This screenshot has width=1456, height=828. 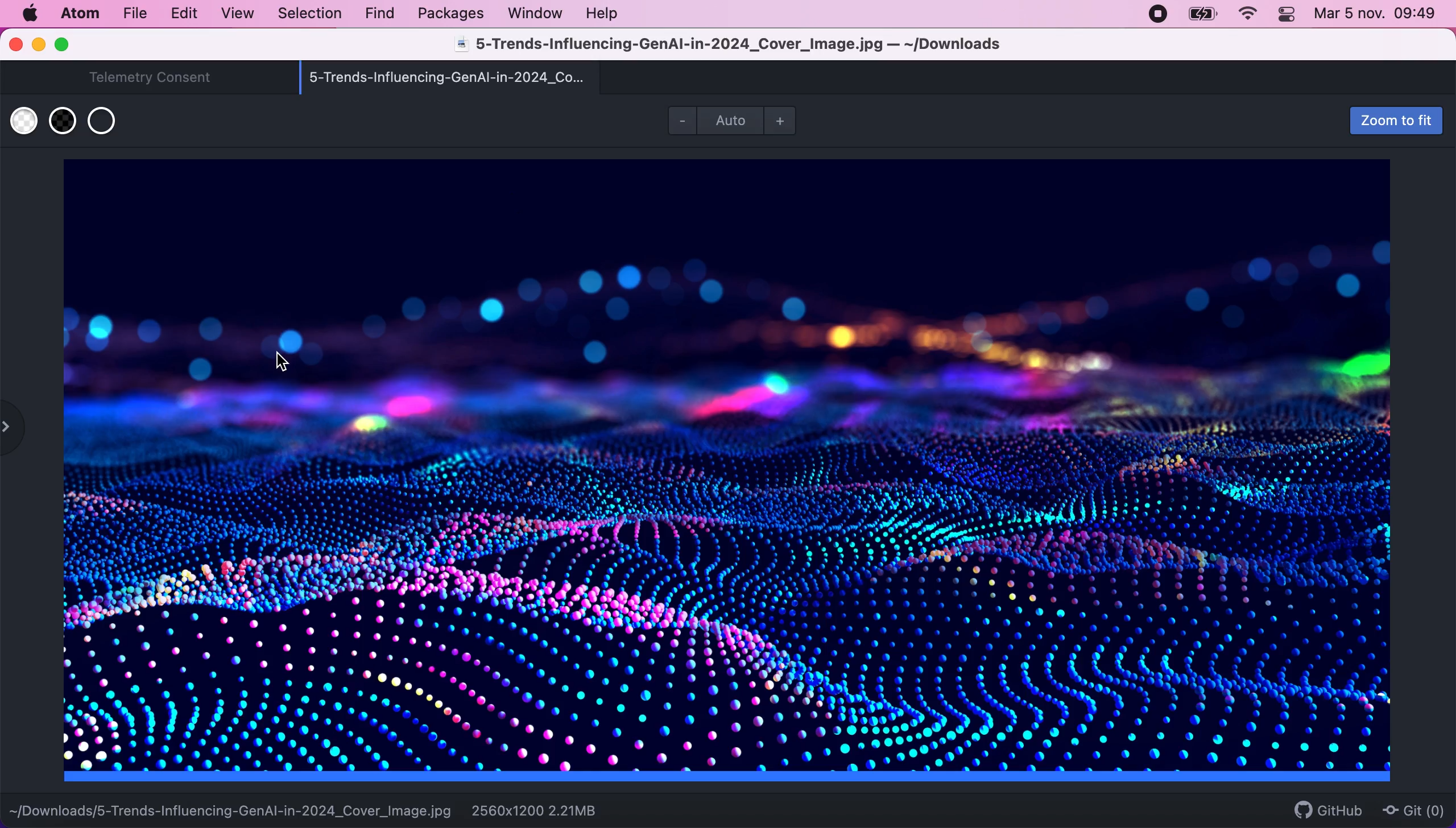 I want to click on help, so click(x=607, y=13).